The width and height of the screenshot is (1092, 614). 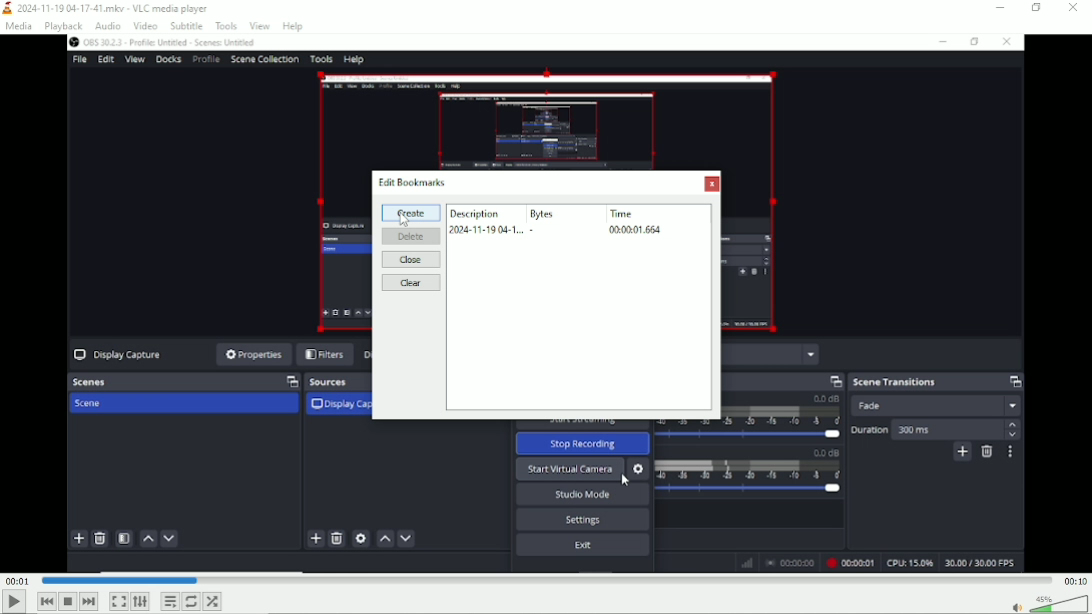 What do you see at coordinates (1073, 9) in the screenshot?
I see `Close` at bounding box center [1073, 9].